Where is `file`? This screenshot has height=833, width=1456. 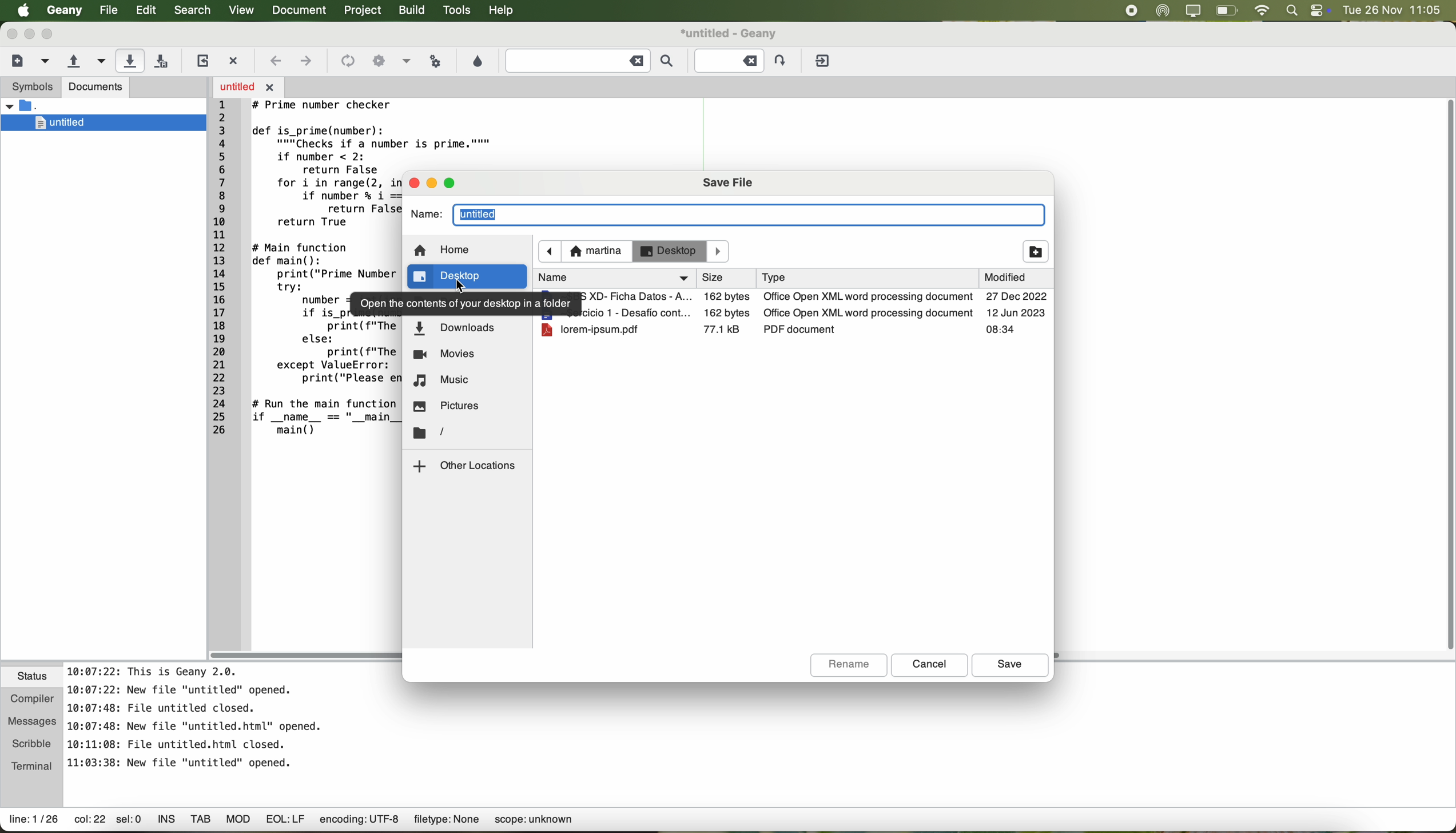 file is located at coordinates (815, 314).